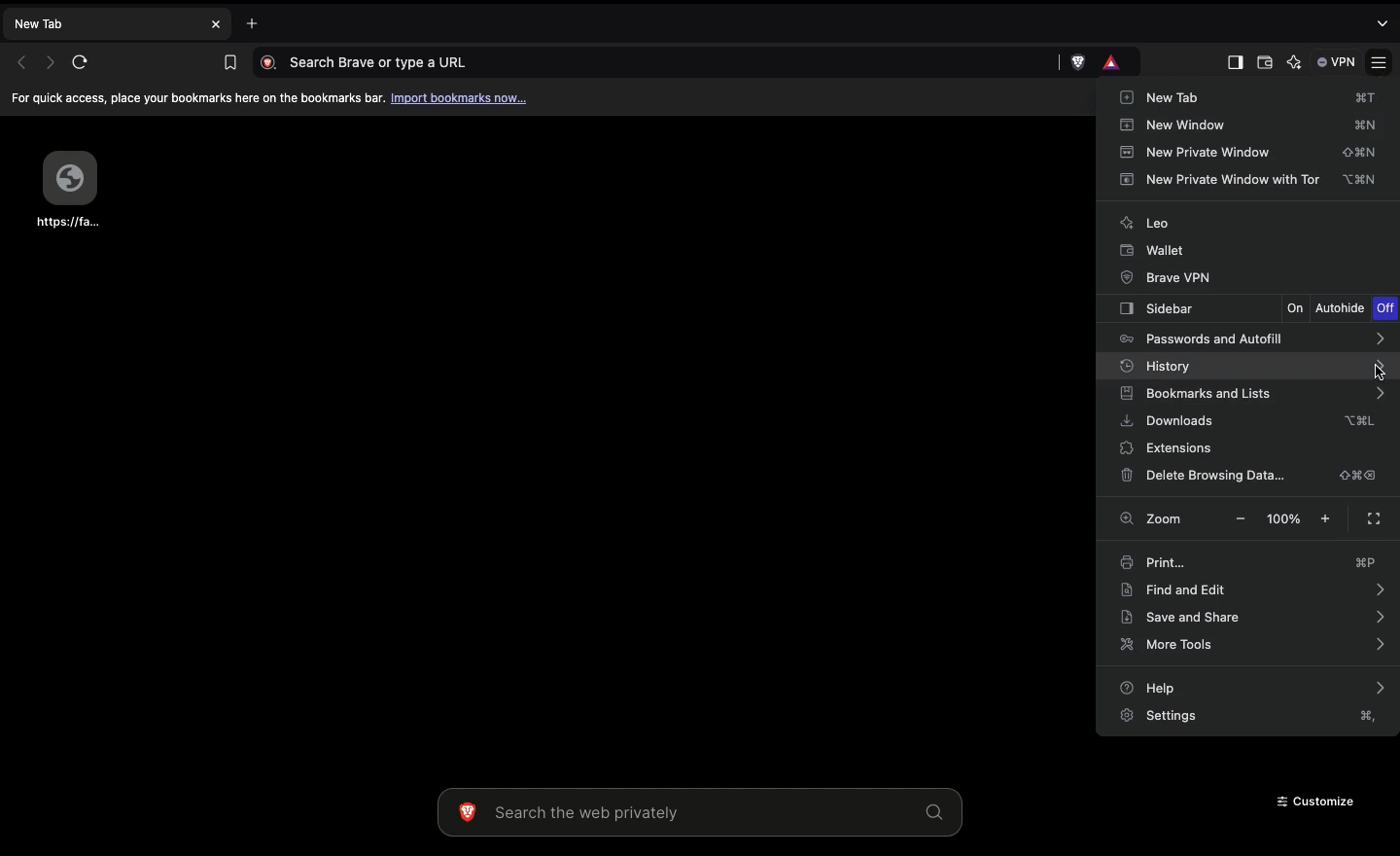 This screenshot has width=1400, height=856. I want to click on More tools, so click(1255, 645).